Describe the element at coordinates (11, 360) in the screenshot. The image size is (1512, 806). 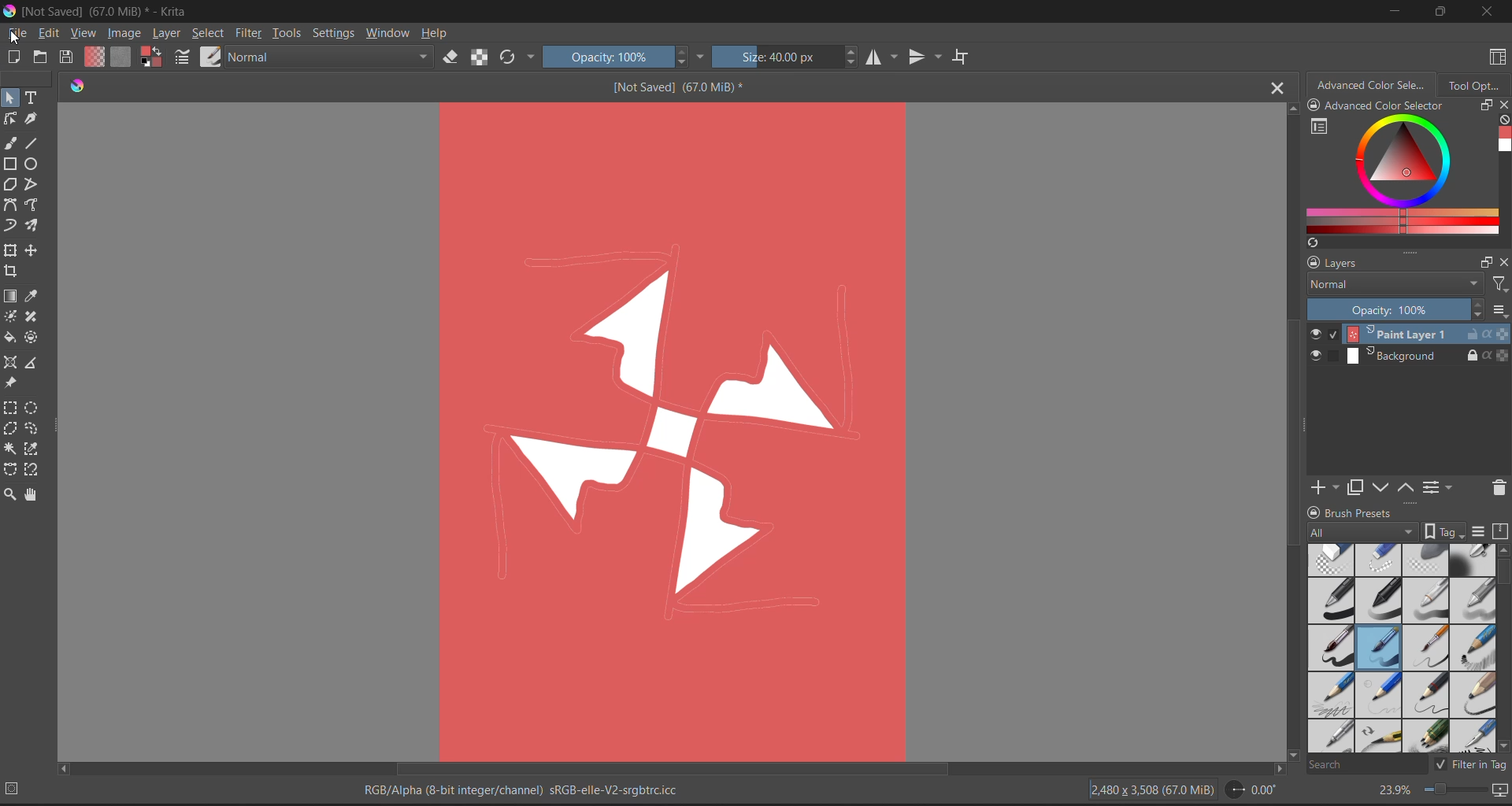
I see `tools` at that location.